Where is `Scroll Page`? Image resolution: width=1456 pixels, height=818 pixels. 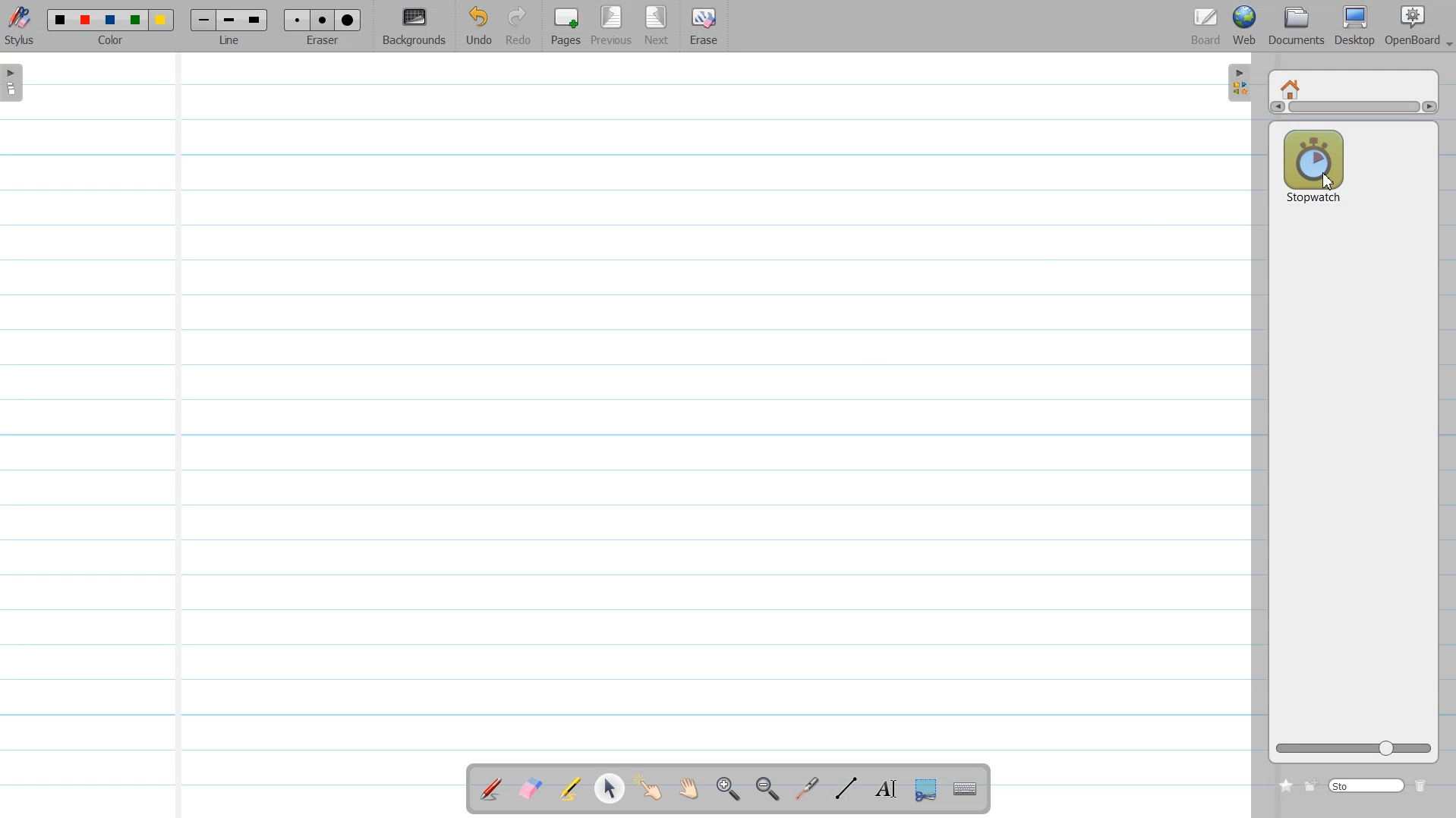
Scroll Page is located at coordinates (692, 789).